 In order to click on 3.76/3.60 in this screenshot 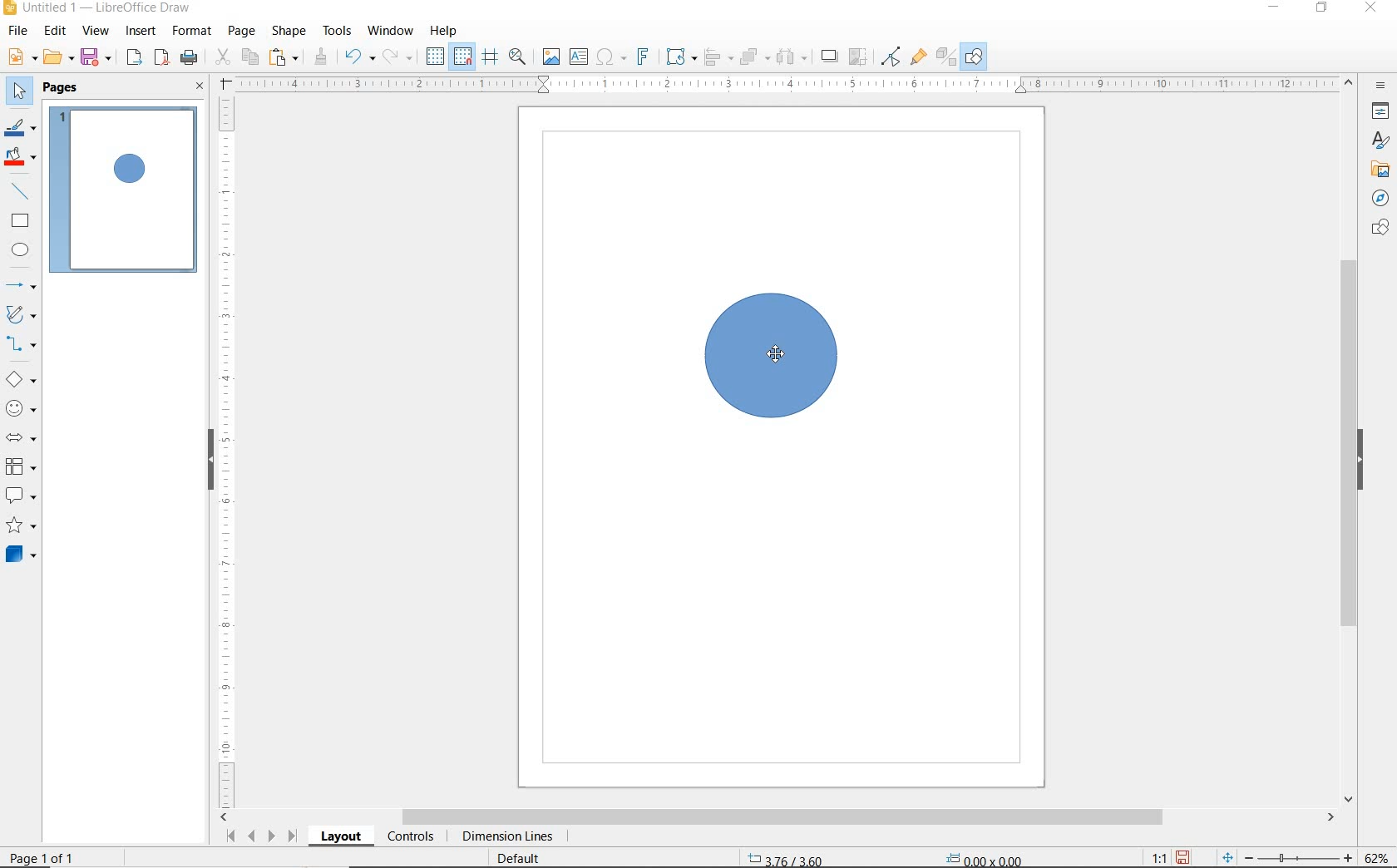, I will do `click(791, 859)`.